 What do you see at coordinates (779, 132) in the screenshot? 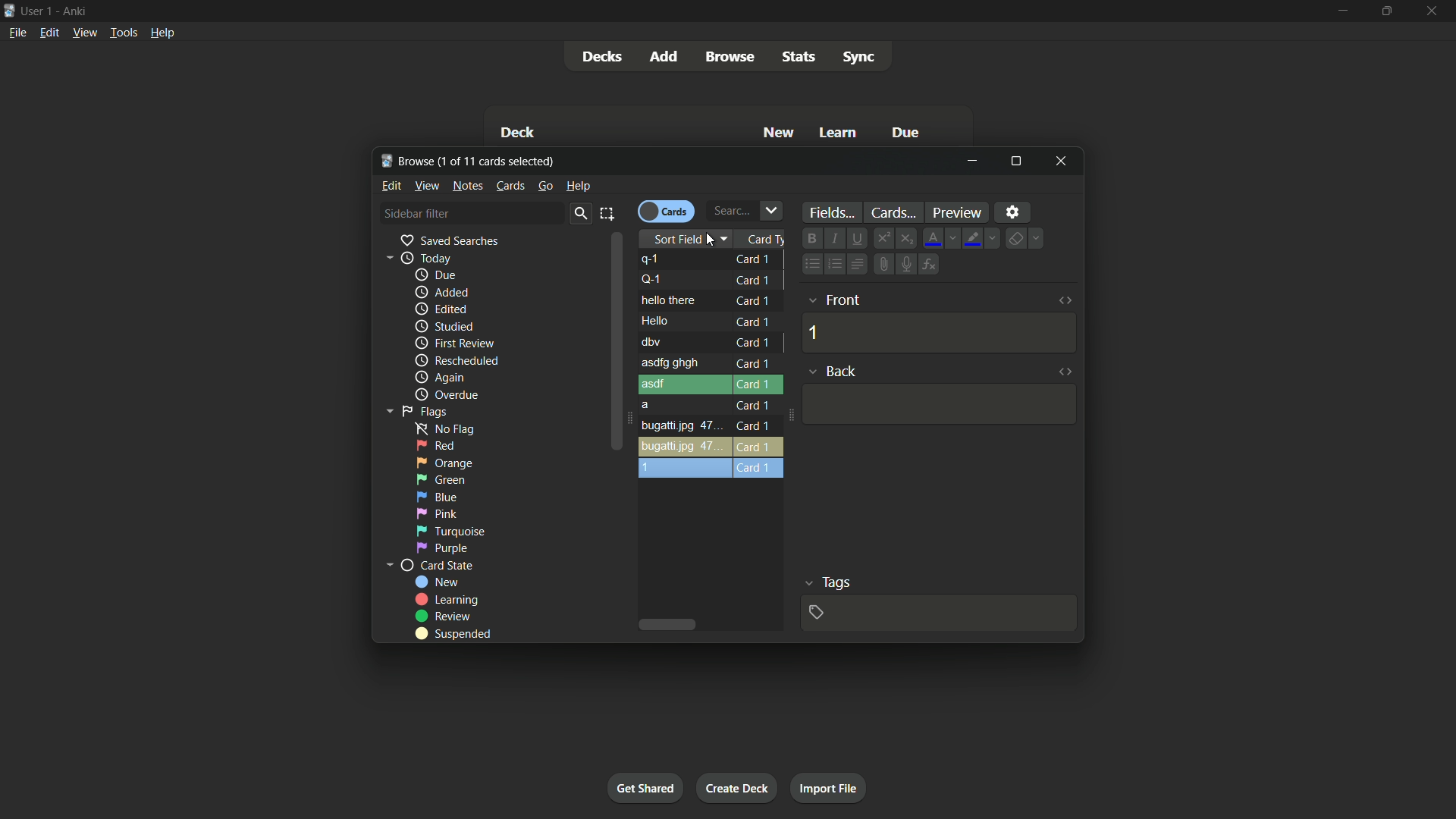
I see `new` at bounding box center [779, 132].